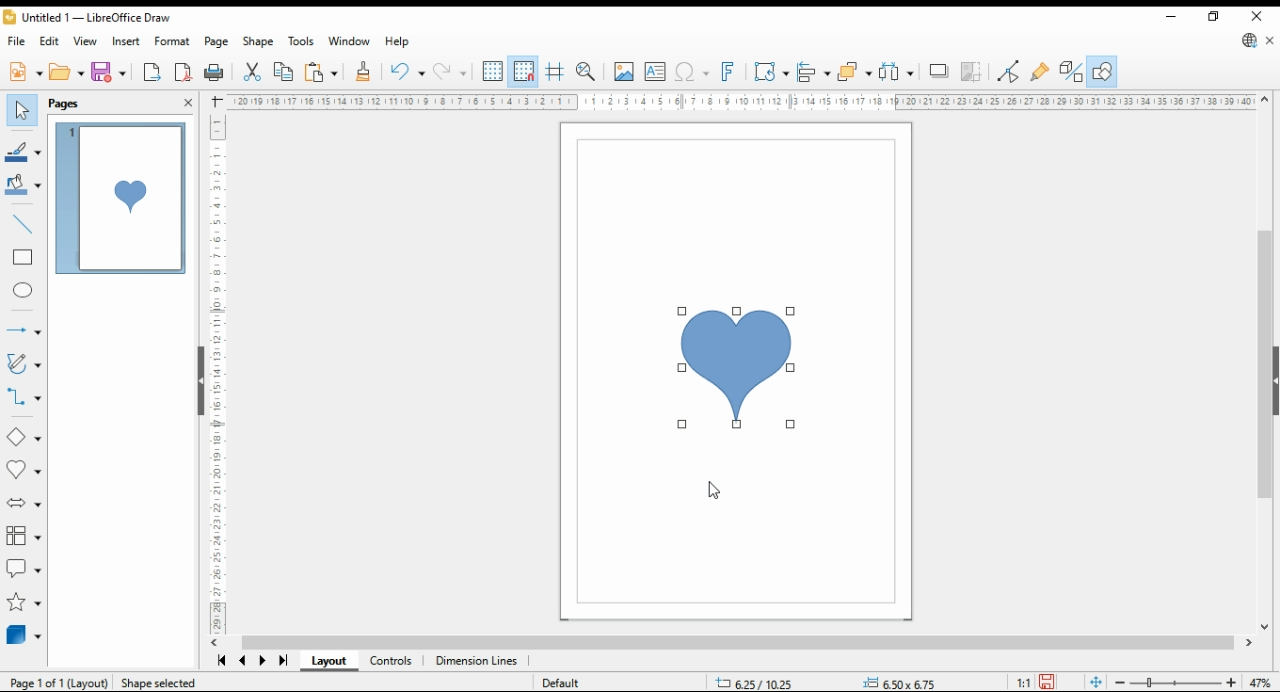 Image resolution: width=1280 pixels, height=692 pixels. Describe the element at coordinates (1032, 677) in the screenshot. I see `save 1"1` at that location.